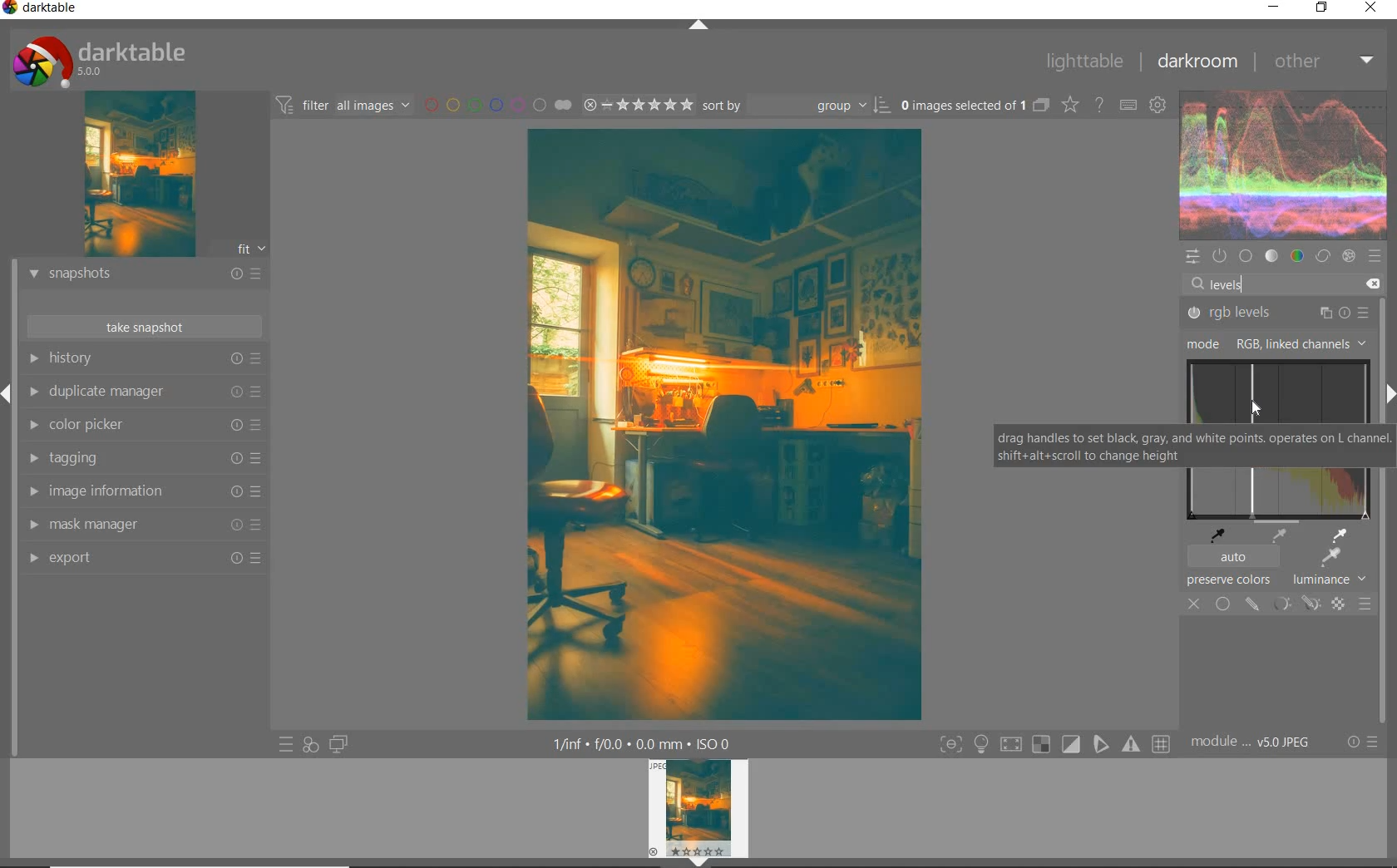  What do you see at coordinates (143, 525) in the screenshot?
I see `mask manager` at bounding box center [143, 525].